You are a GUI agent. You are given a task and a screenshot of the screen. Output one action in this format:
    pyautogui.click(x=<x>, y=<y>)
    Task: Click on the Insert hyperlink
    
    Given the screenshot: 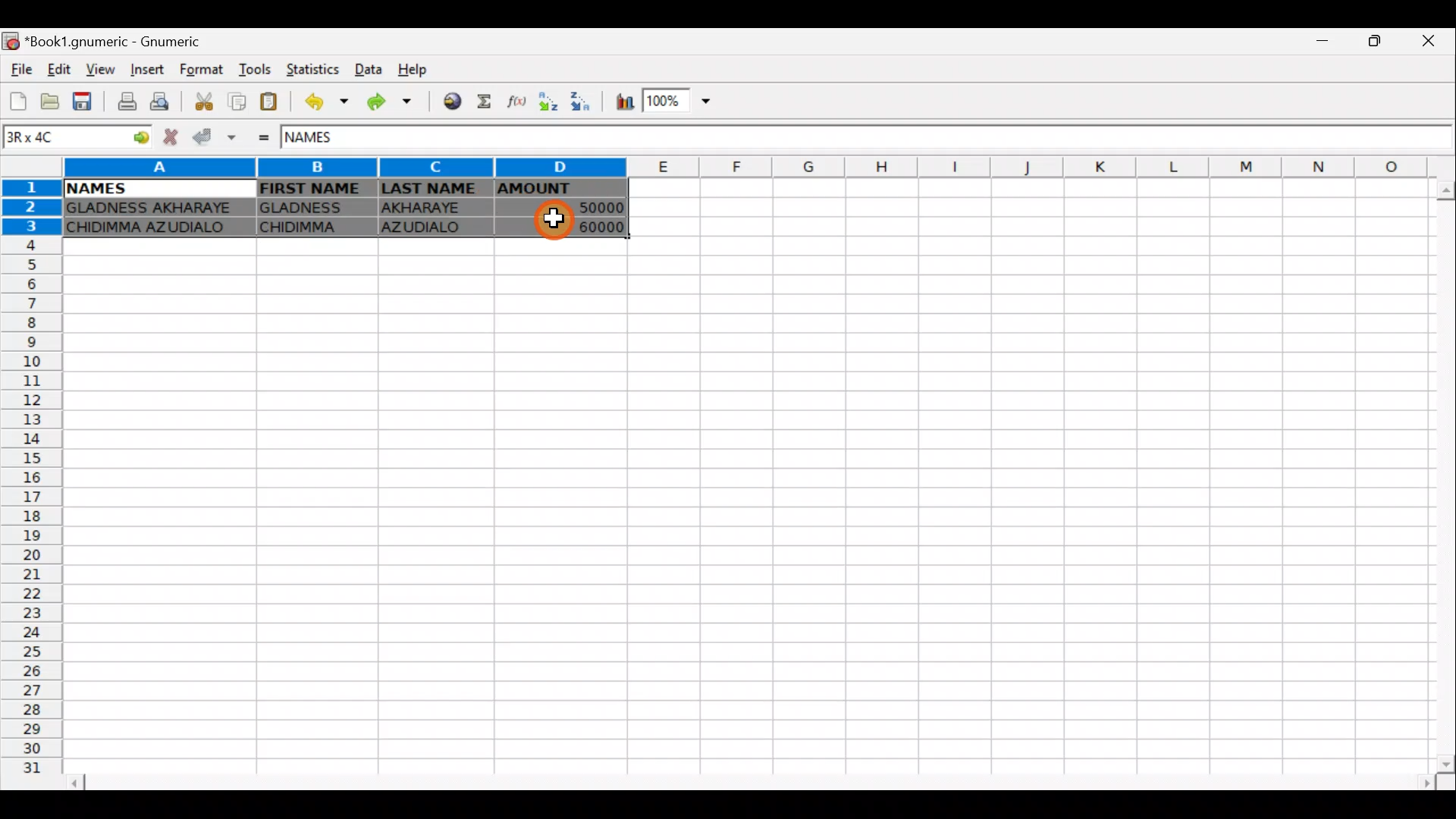 What is the action you would take?
    pyautogui.click(x=453, y=100)
    